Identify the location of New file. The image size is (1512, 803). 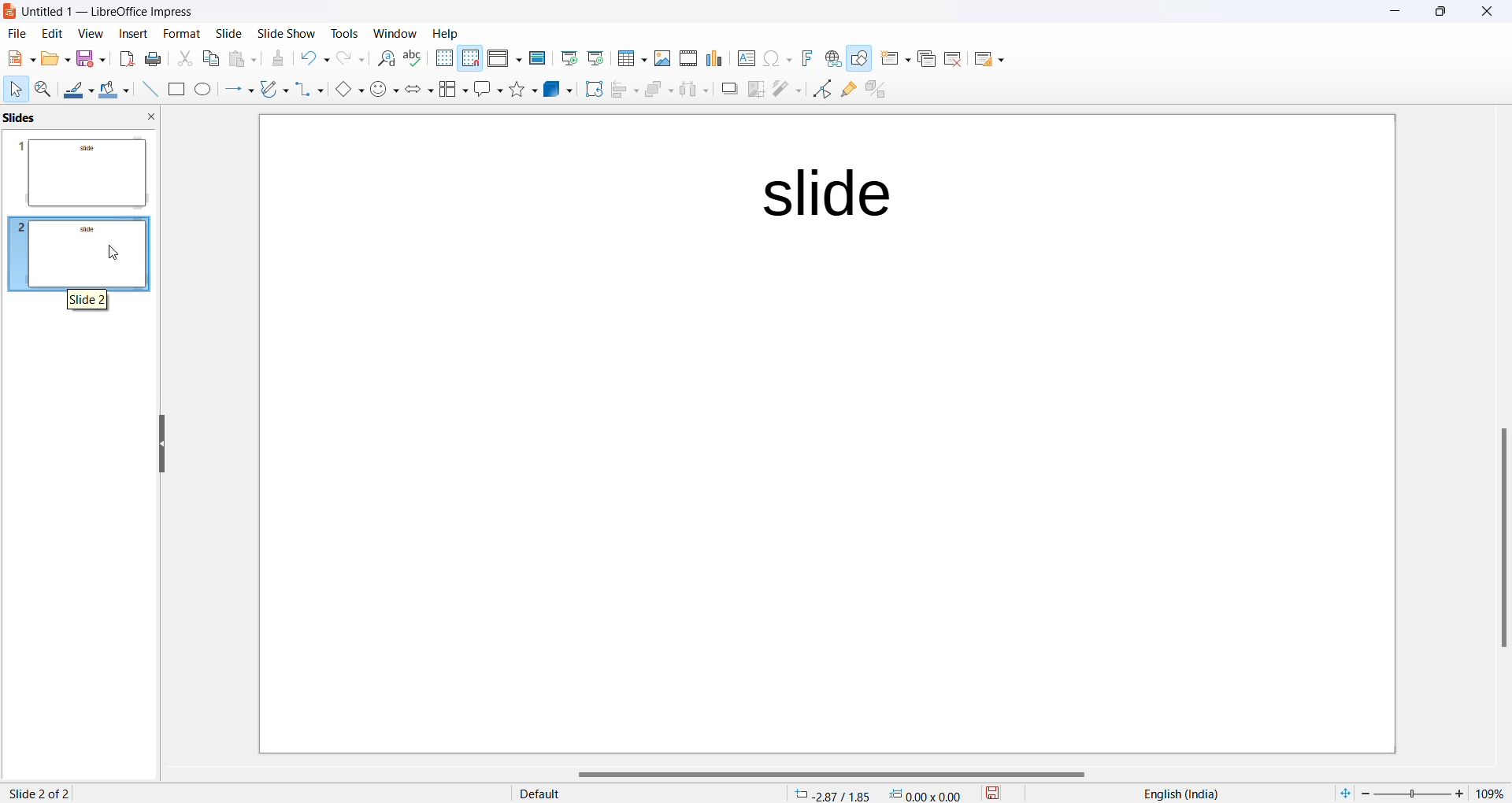
(18, 57).